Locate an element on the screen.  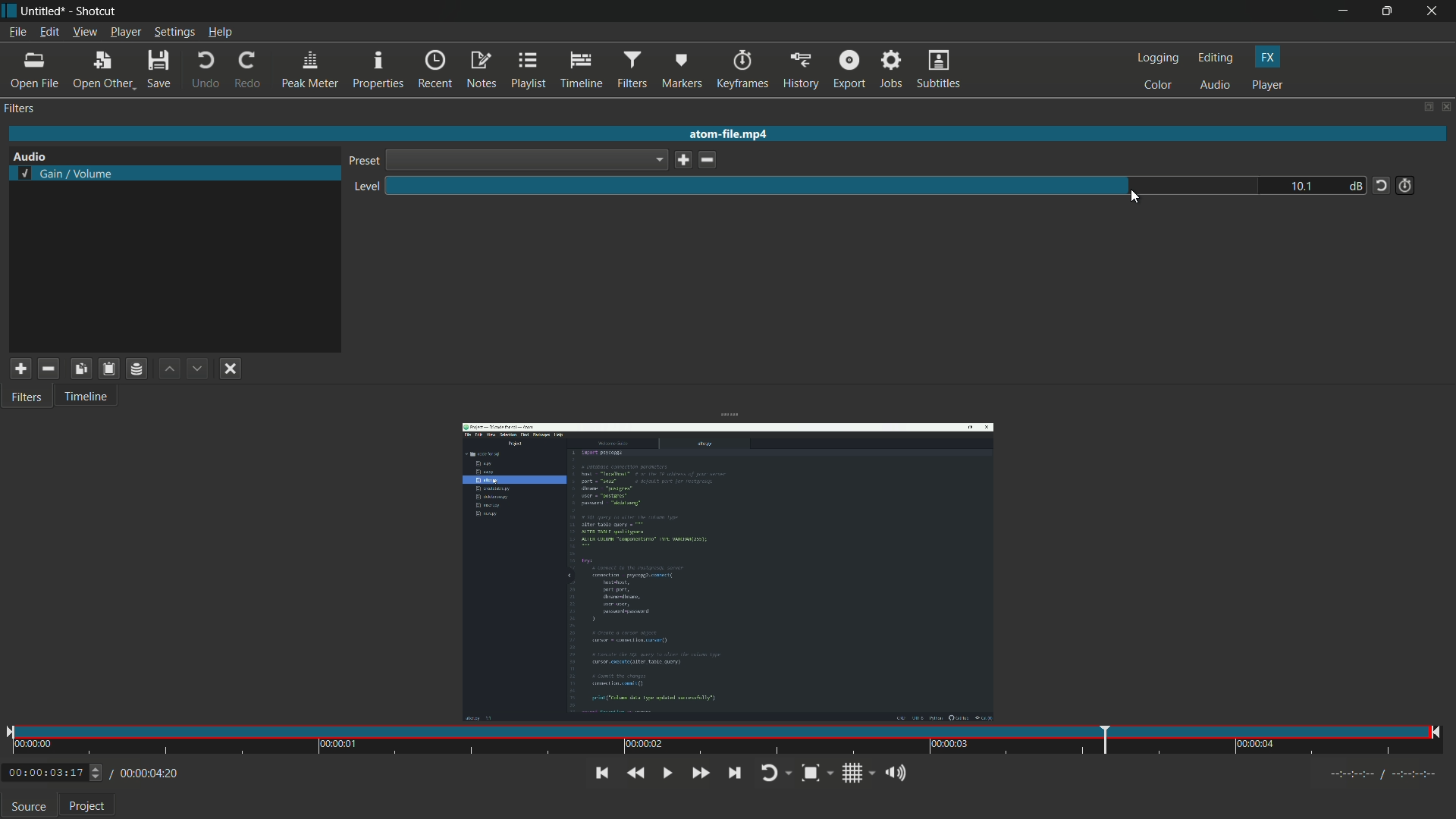
open other is located at coordinates (102, 71).